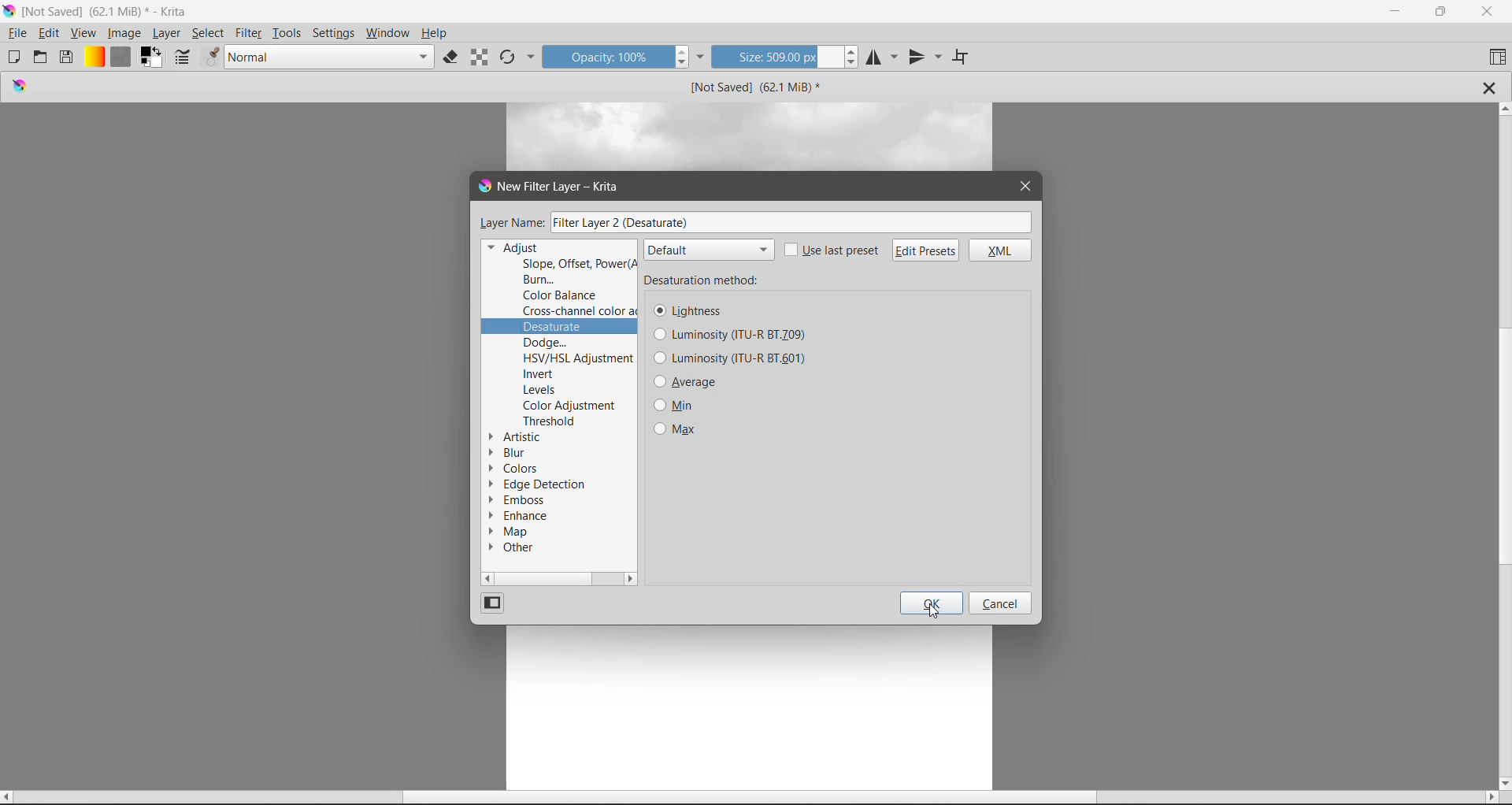 This screenshot has width=1512, height=805. What do you see at coordinates (95, 57) in the screenshot?
I see `Fill Gradients` at bounding box center [95, 57].